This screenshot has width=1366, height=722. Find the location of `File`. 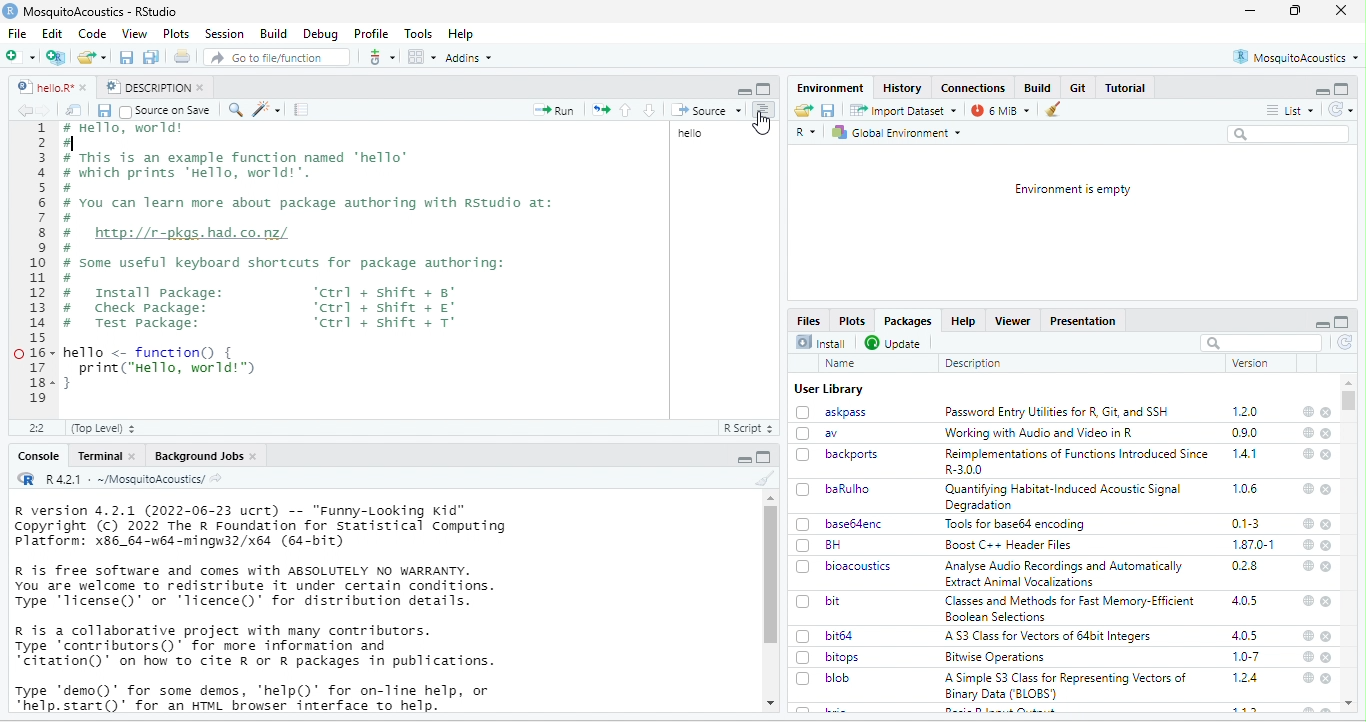

File is located at coordinates (21, 33).